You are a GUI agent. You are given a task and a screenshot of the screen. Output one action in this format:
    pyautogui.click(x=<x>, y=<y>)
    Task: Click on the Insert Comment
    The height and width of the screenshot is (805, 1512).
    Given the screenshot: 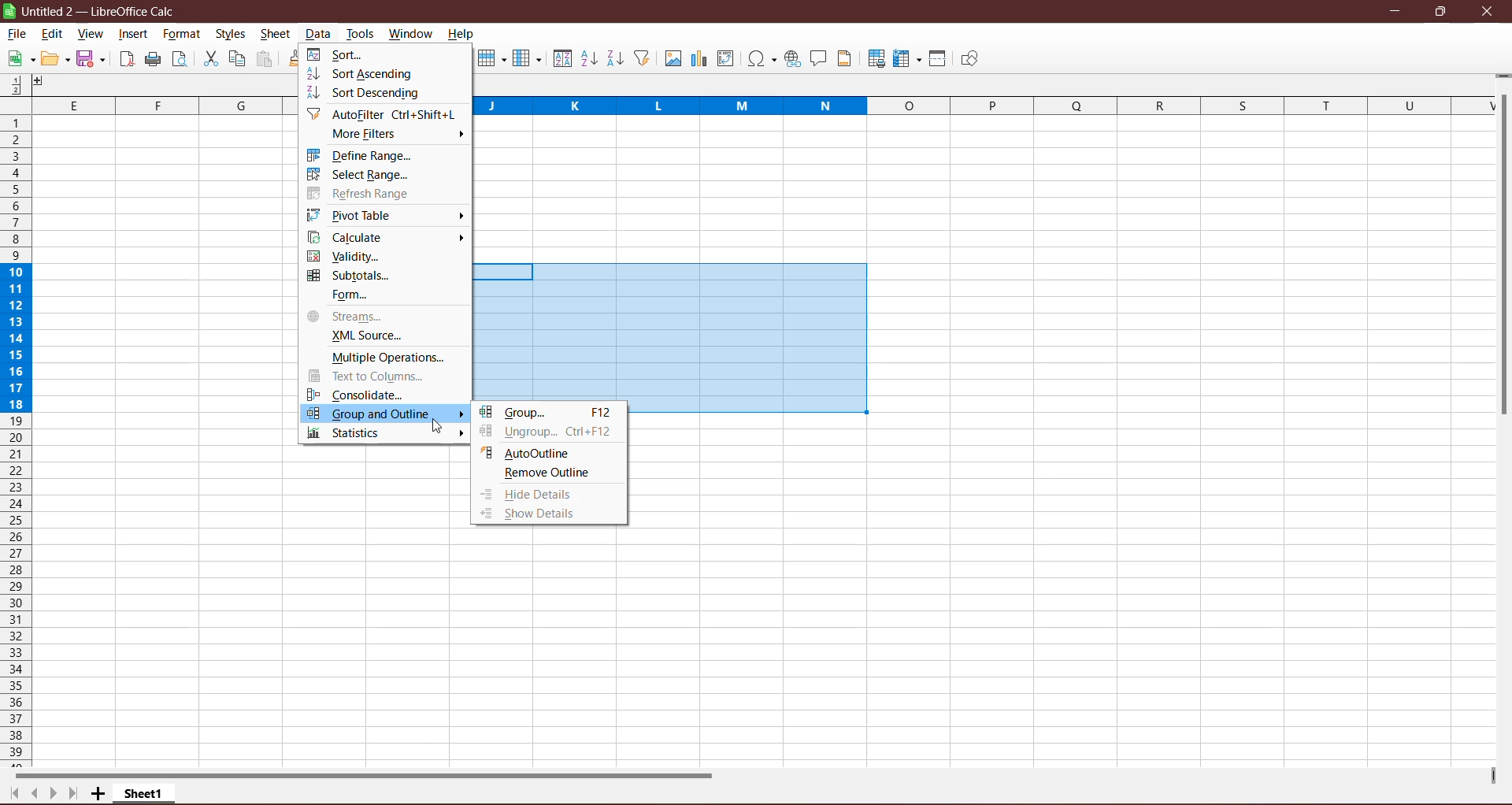 What is the action you would take?
    pyautogui.click(x=819, y=59)
    